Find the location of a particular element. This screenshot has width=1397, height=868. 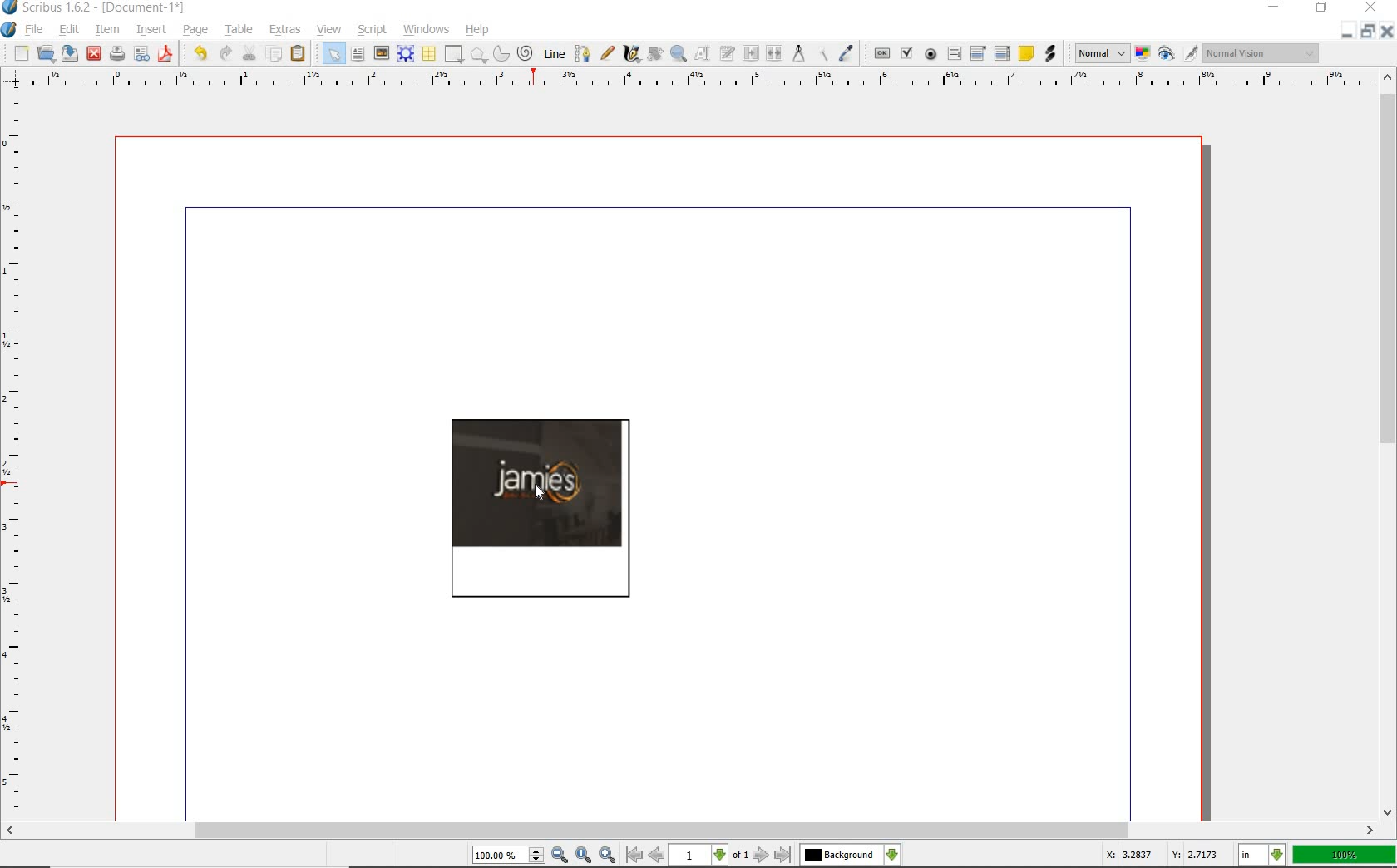

SPIRAL is located at coordinates (526, 52).